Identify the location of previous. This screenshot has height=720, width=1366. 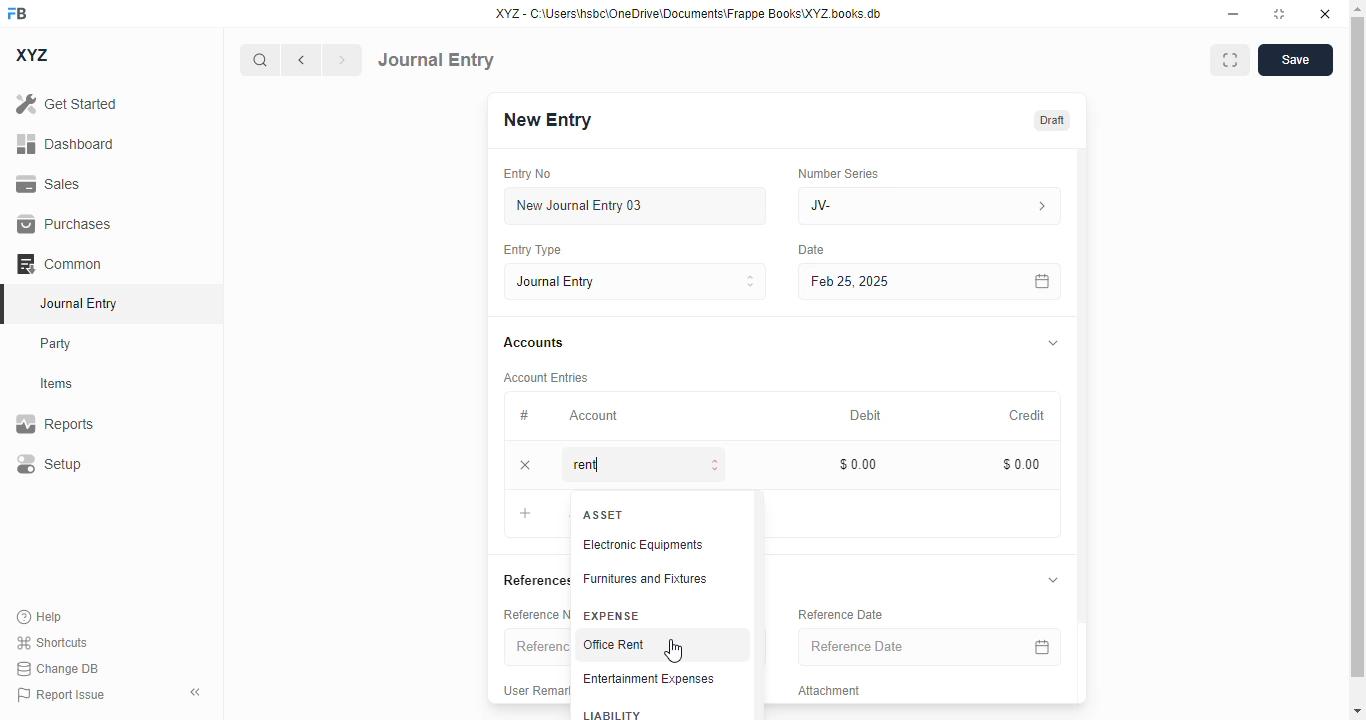
(301, 60).